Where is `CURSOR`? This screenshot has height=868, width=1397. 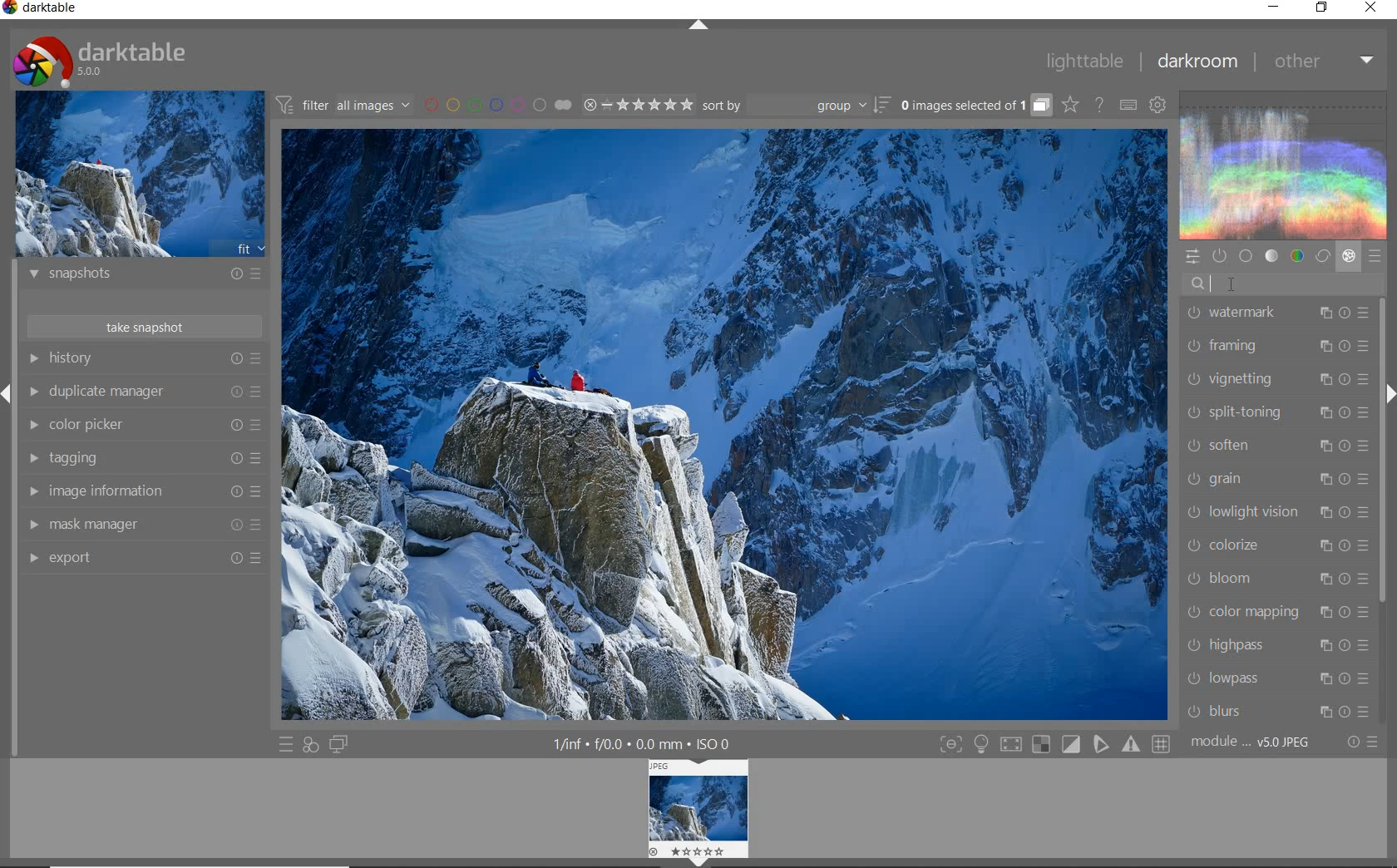 CURSOR is located at coordinates (1237, 287).